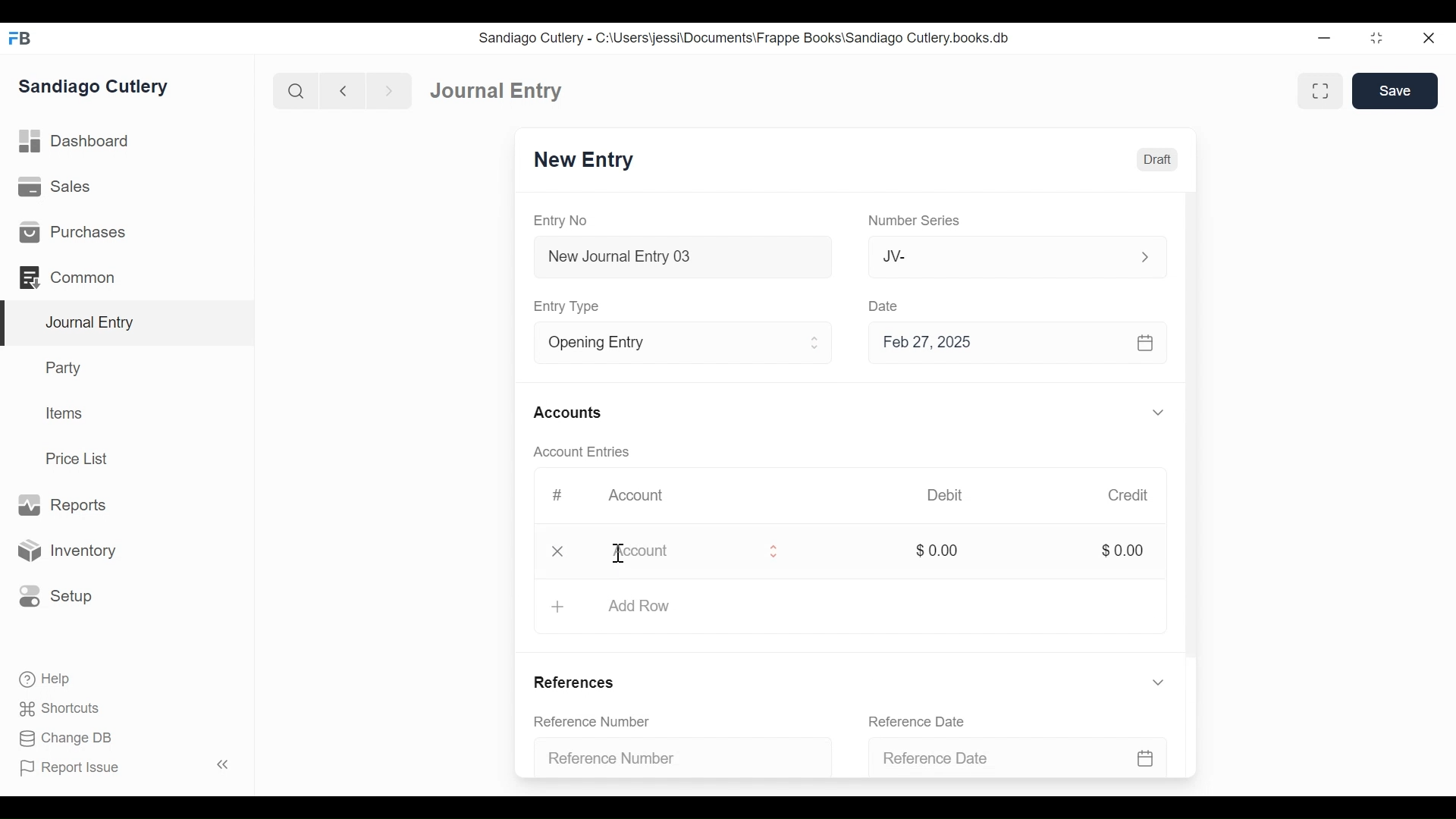 This screenshot has width=1456, height=819. What do you see at coordinates (585, 161) in the screenshot?
I see `New Entry` at bounding box center [585, 161].